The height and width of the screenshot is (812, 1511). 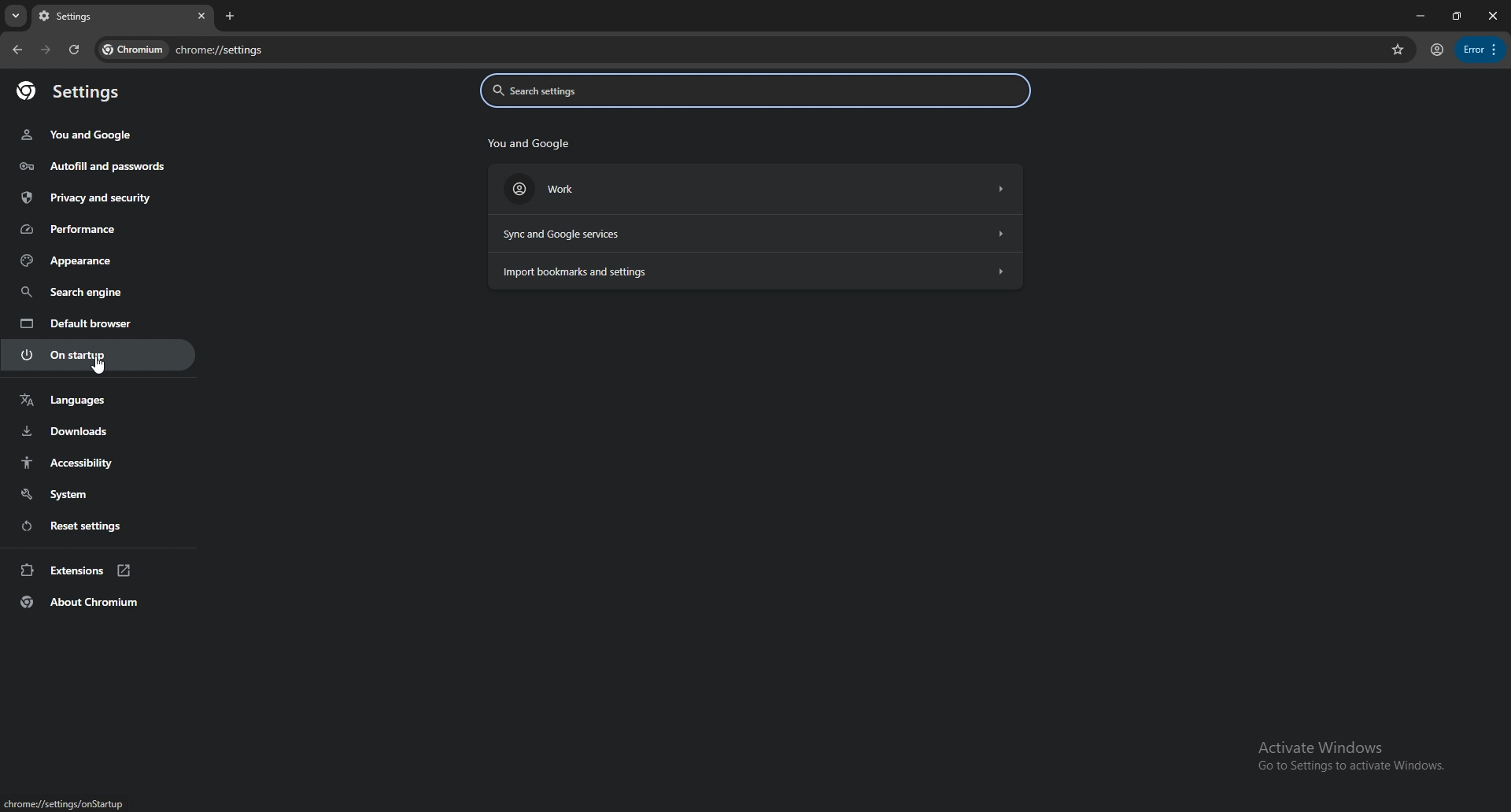 What do you see at coordinates (74, 50) in the screenshot?
I see `refresh` at bounding box center [74, 50].